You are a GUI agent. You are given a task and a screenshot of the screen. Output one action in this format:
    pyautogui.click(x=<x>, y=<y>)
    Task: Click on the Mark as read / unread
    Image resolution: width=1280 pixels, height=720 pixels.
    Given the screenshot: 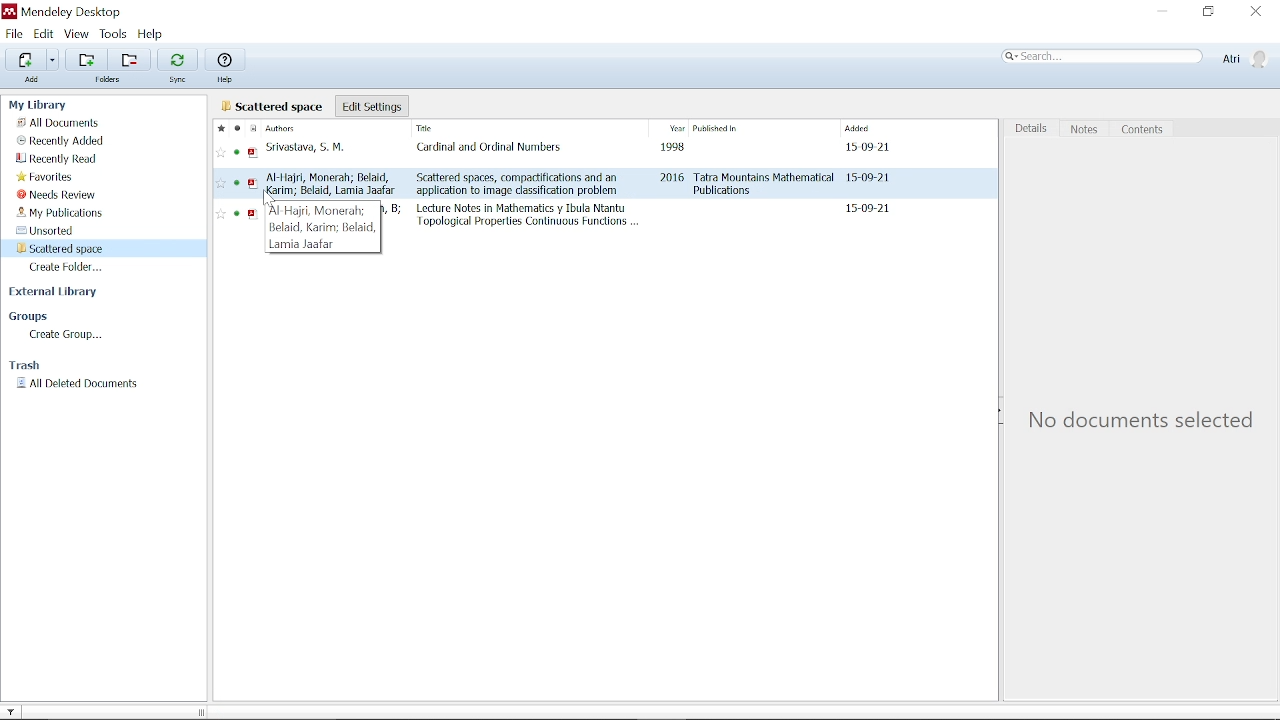 What is the action you would take?
    pyautogui.click(x=236, y=128)
    